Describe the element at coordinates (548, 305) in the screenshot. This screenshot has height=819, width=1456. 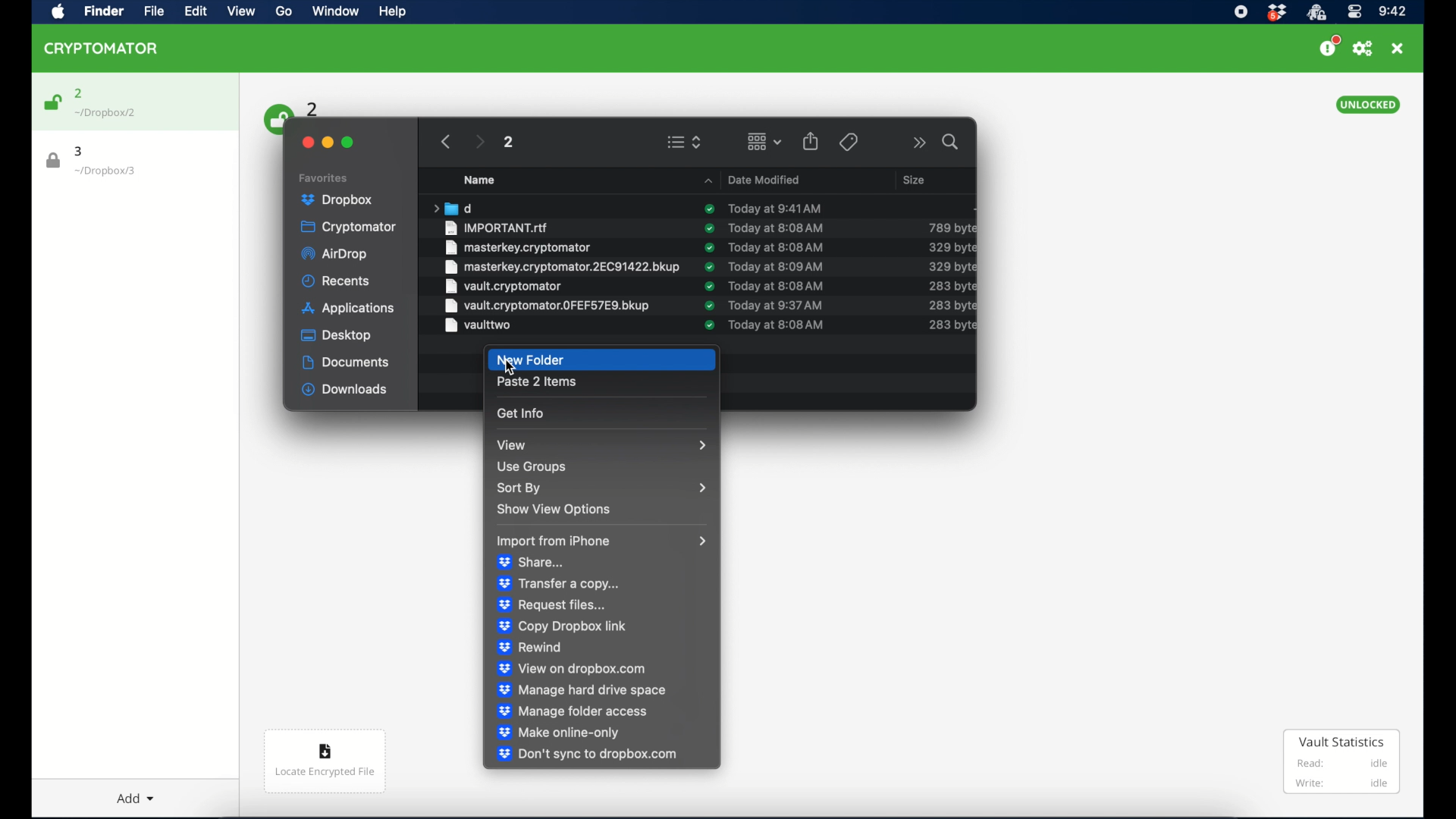
I see `vault` at that location.